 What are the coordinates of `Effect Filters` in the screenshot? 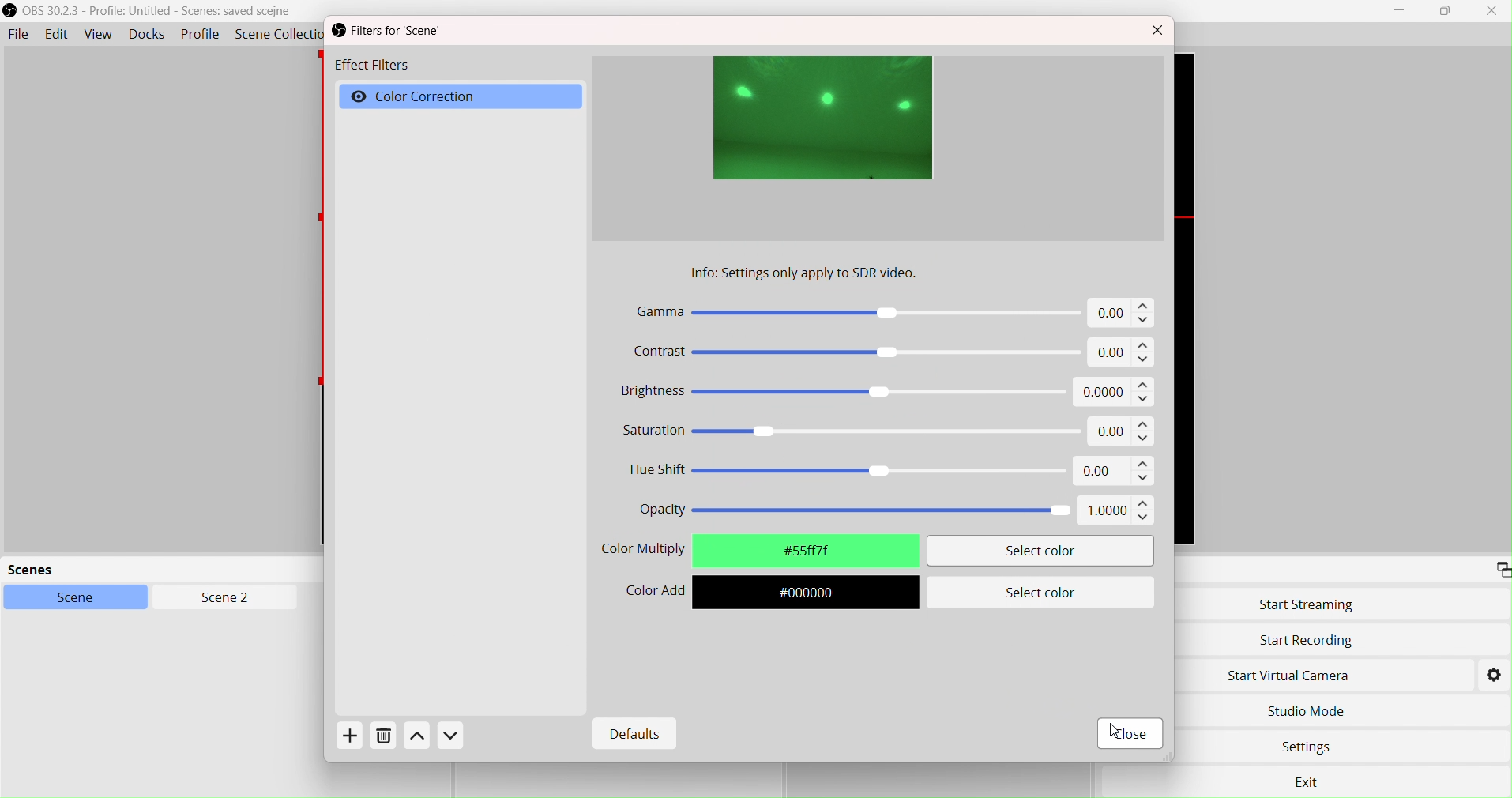 It's located at (371, 67).